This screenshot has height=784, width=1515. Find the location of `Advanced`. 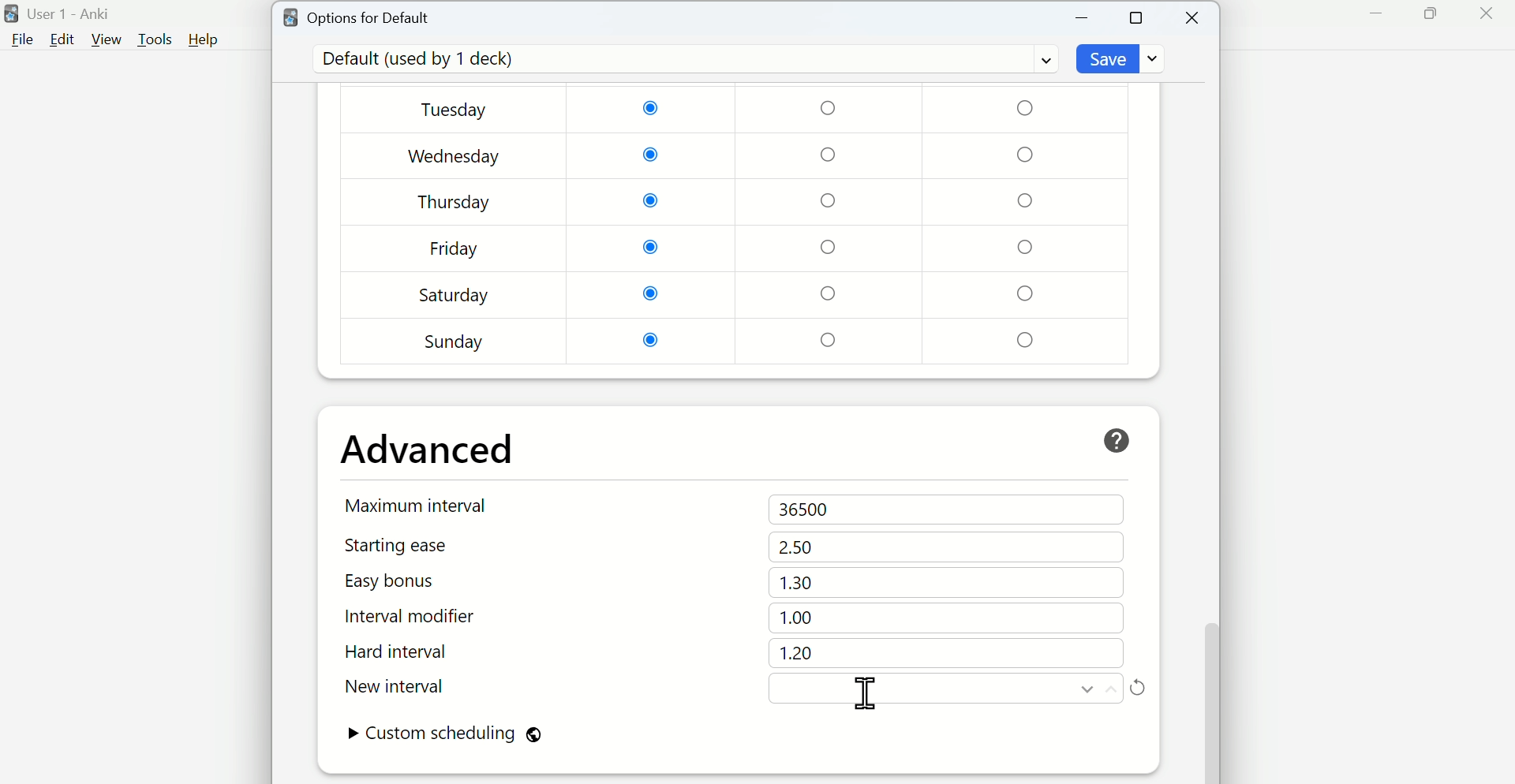

Advanced is located at coordinates (428, 450).